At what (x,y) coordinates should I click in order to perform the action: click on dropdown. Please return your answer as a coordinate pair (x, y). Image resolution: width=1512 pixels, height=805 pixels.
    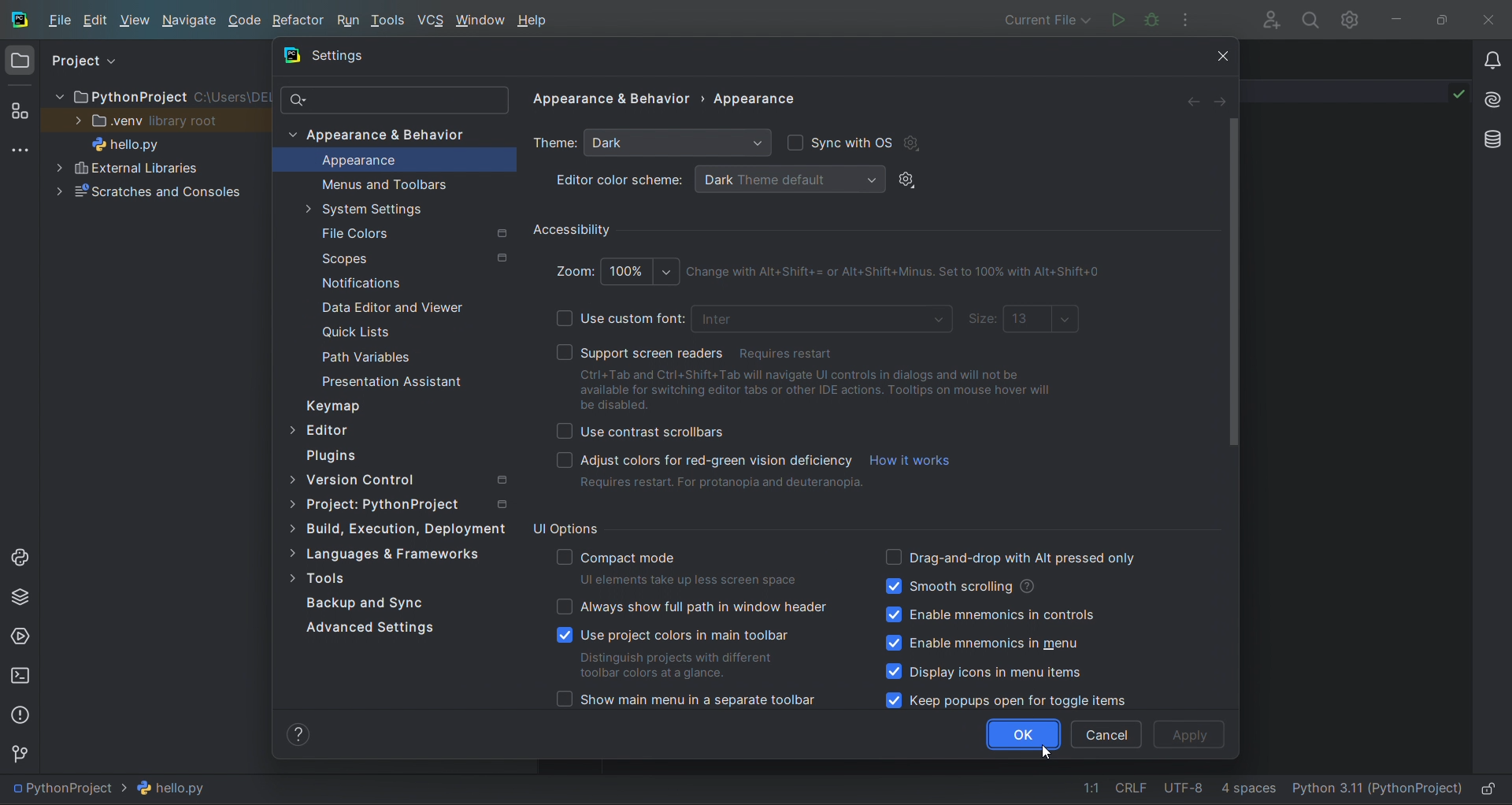
    Looking at the image, I should click on (1044, 318).